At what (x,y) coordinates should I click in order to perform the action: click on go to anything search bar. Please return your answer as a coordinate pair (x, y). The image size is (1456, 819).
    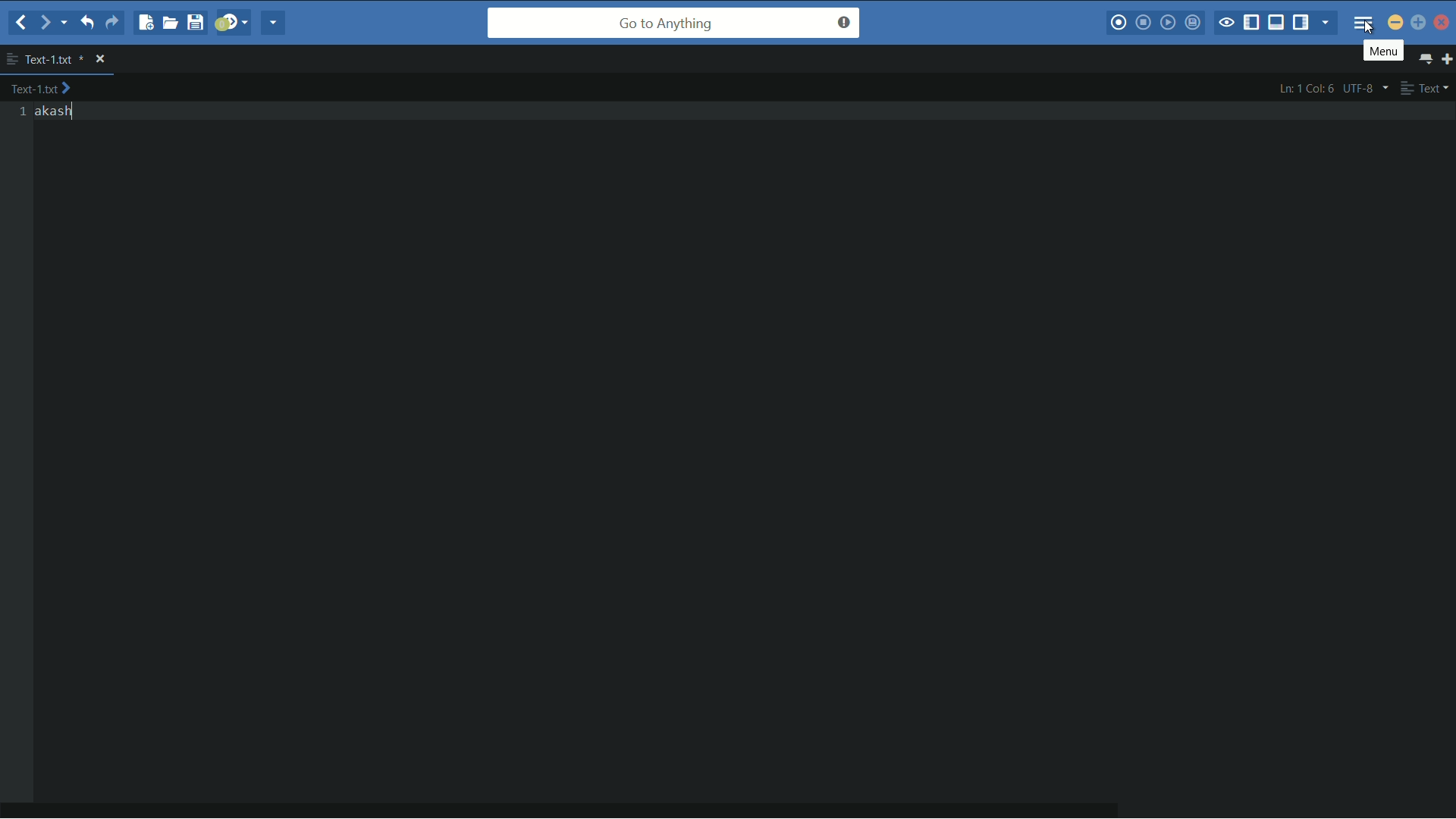
    Looking at the image, I should click on (673, 23).